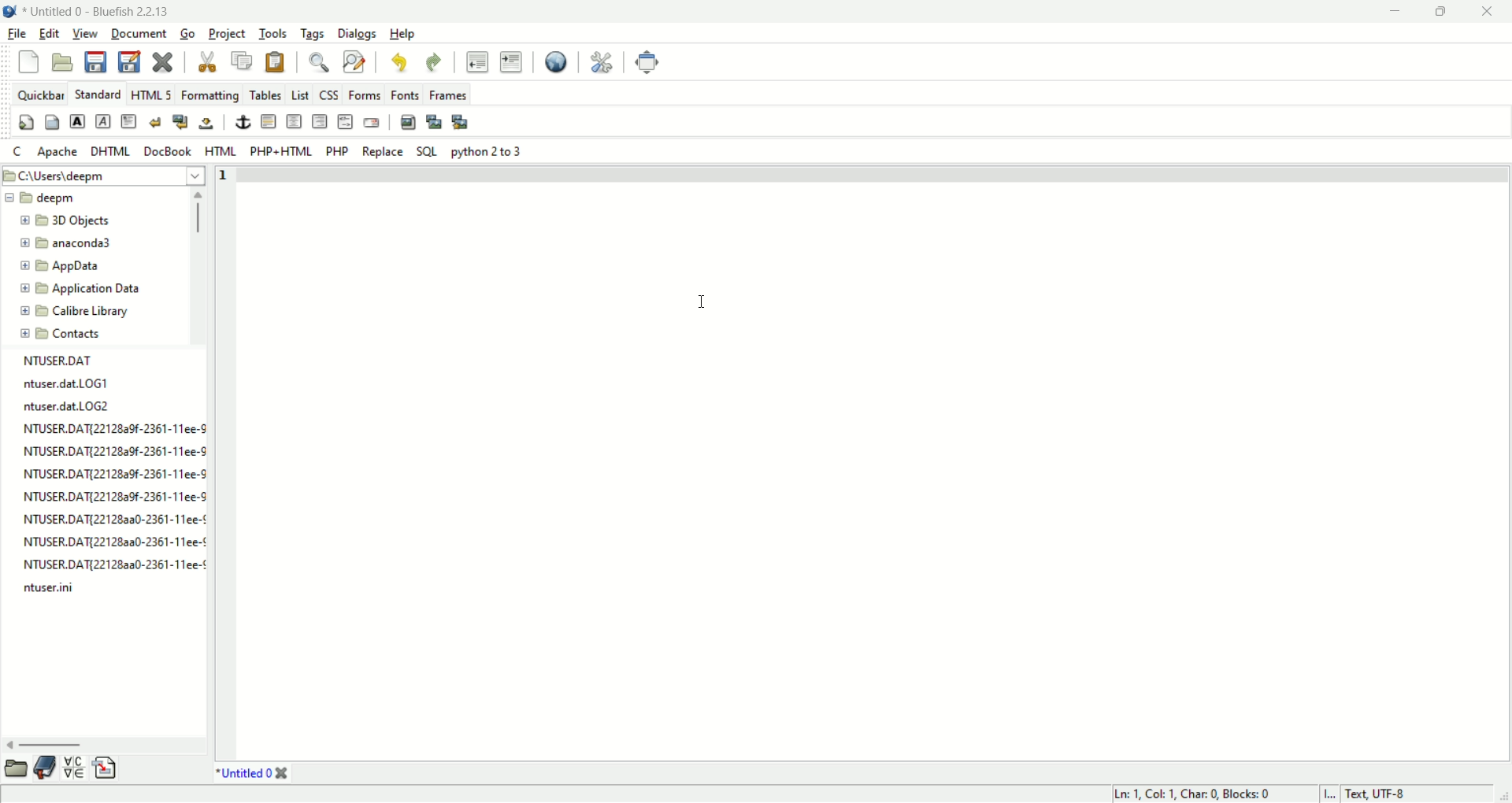 The image size is (1512, 803). Describe the element at coordinates (96, 13) in the screenshot. I see `Untitled 0 - Bluefish 2.2.13` at that location.